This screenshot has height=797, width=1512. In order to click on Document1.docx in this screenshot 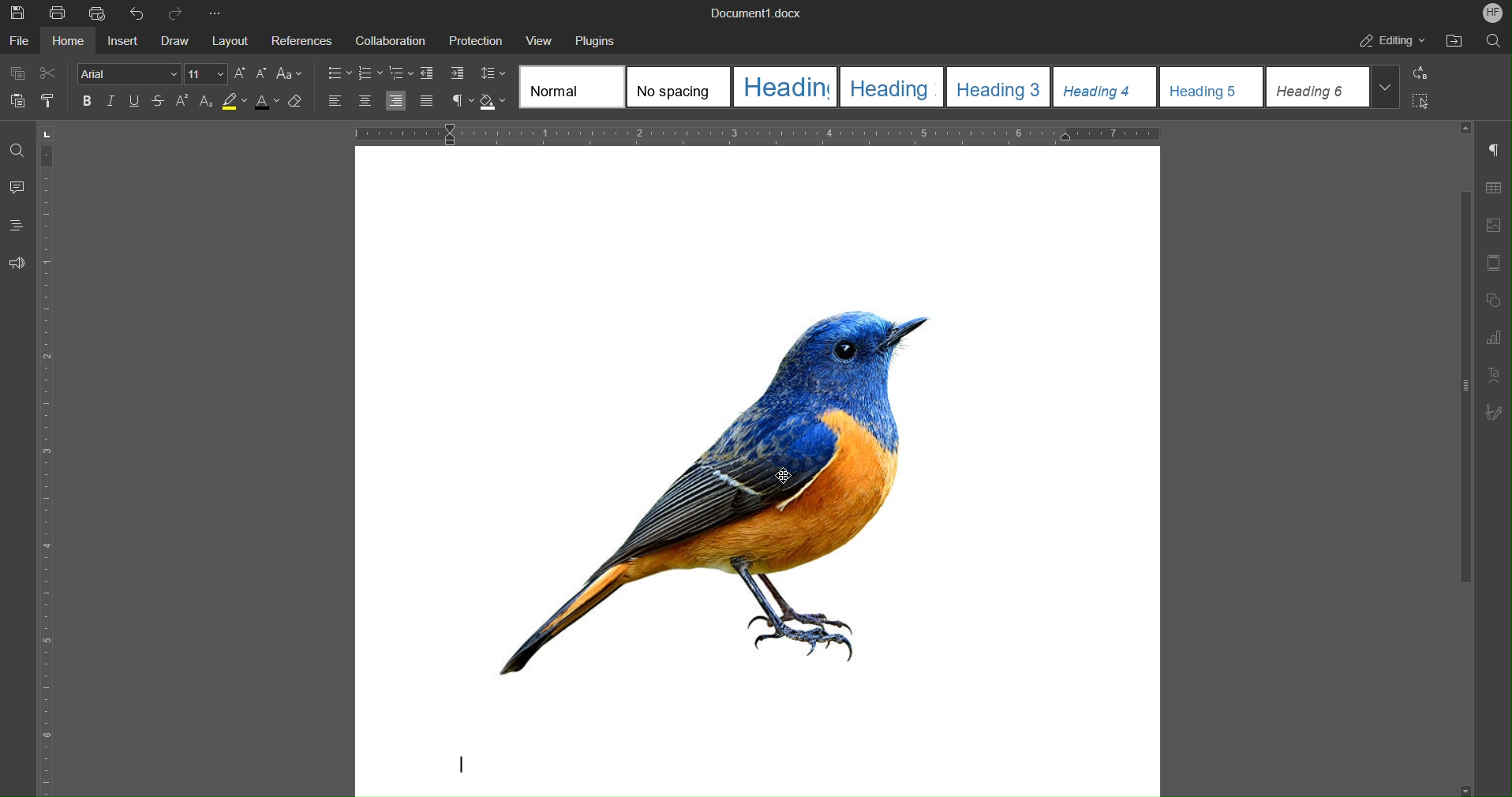, I will do `click(756, 12)`.